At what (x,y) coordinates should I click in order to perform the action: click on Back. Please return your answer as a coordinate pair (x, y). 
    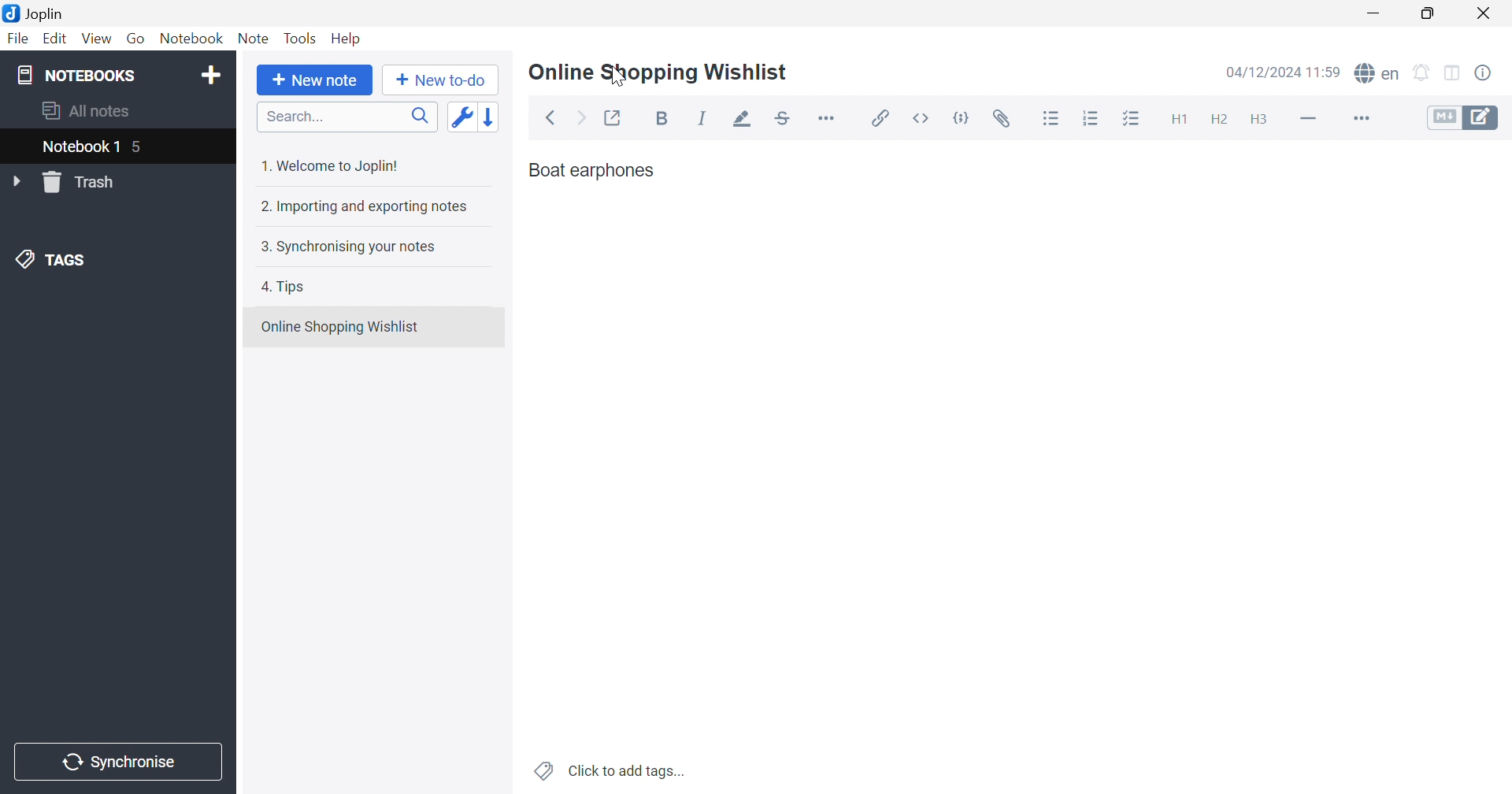
    Looking at the image, I should click on (552, 117).